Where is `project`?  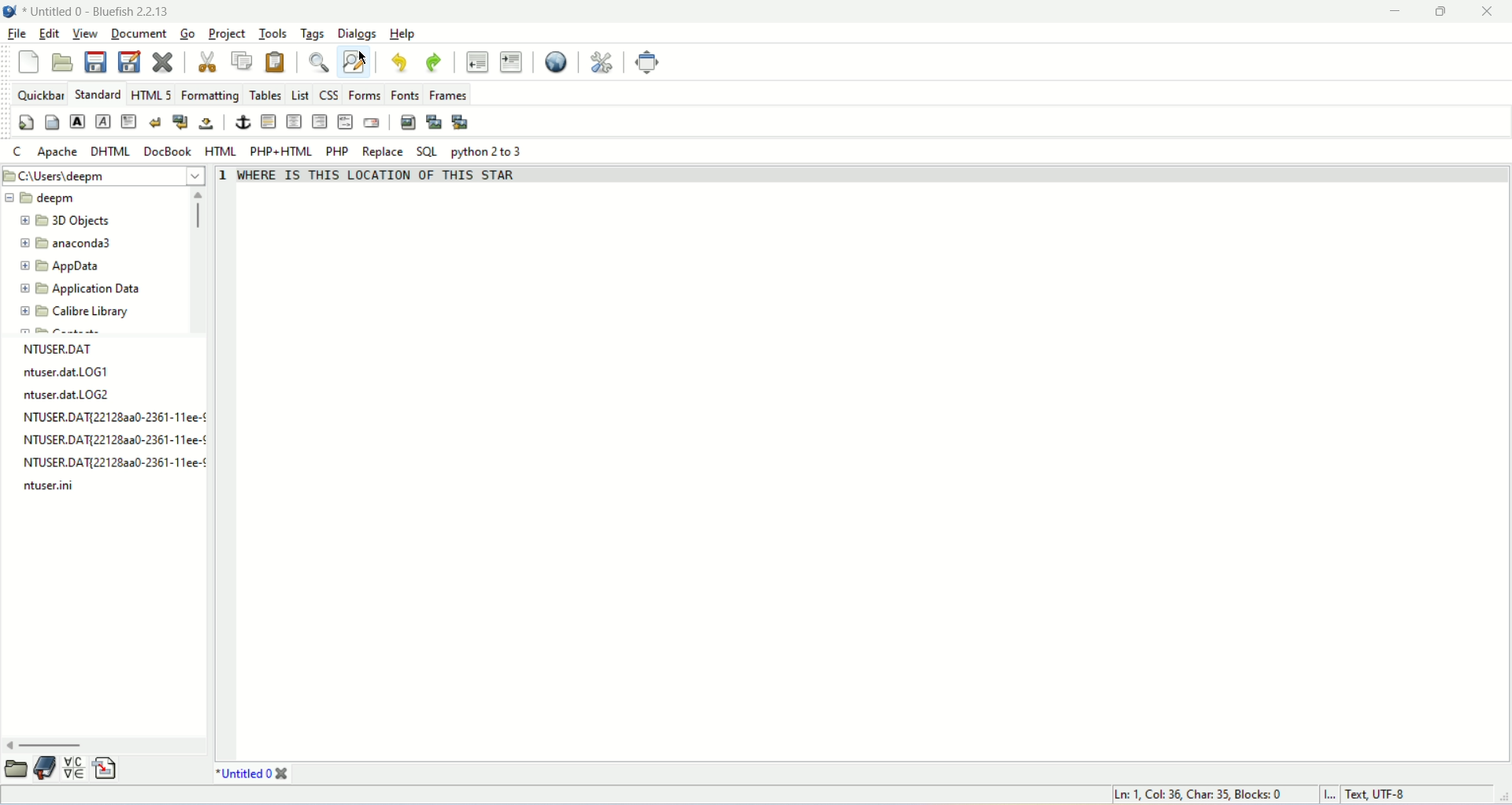 project is located at coordinates (227, 34).